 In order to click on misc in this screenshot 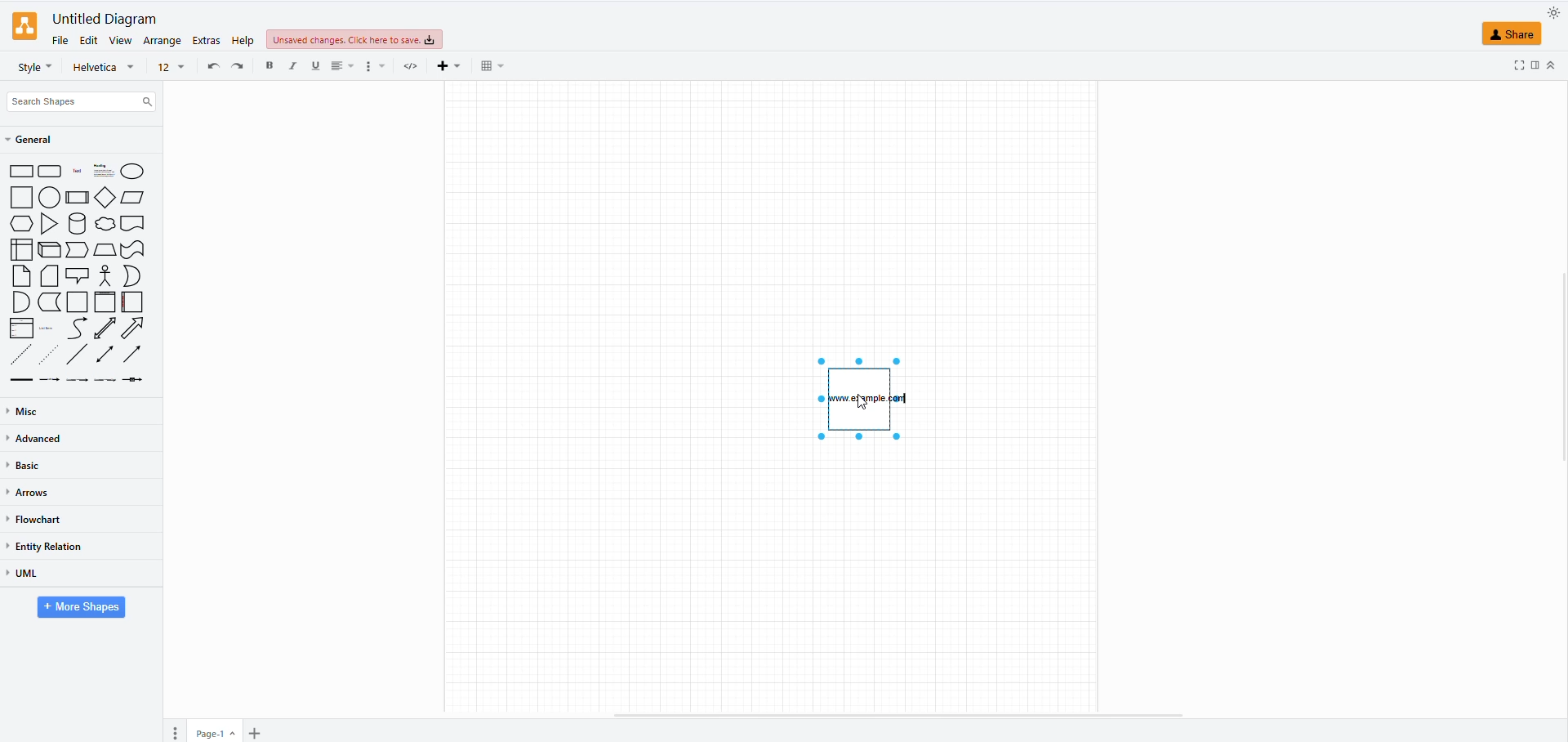, I will do `click(26, 411)`.